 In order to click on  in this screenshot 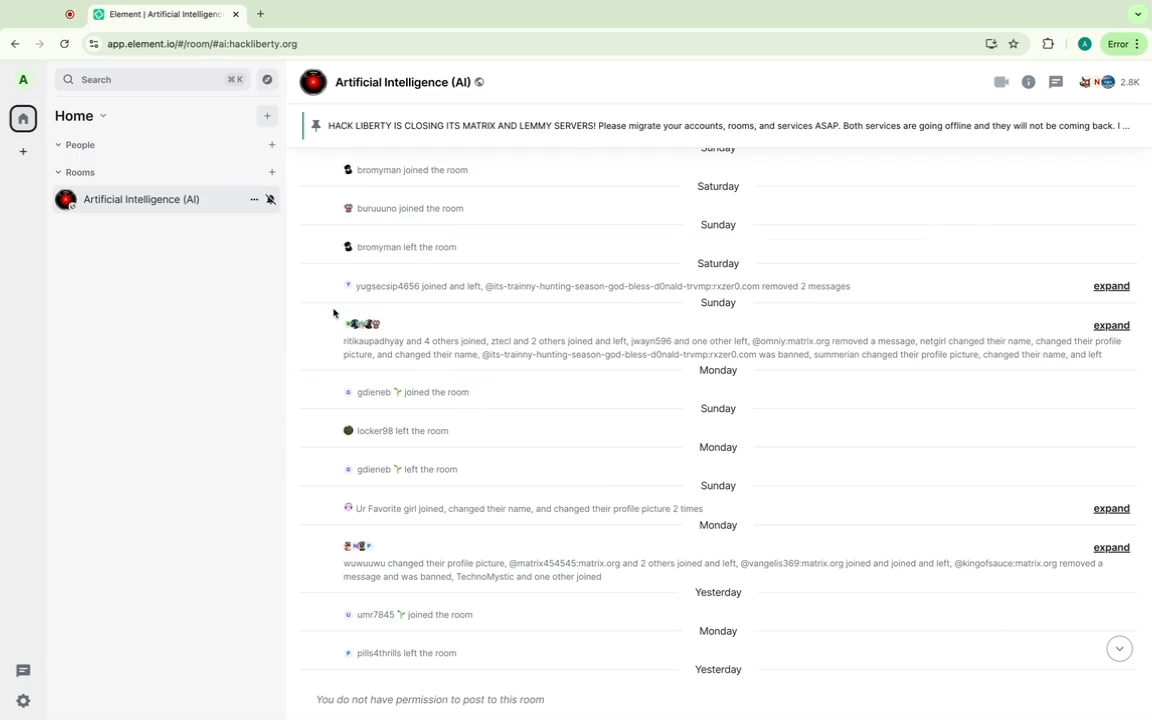, I will do `click(66, 13)`.